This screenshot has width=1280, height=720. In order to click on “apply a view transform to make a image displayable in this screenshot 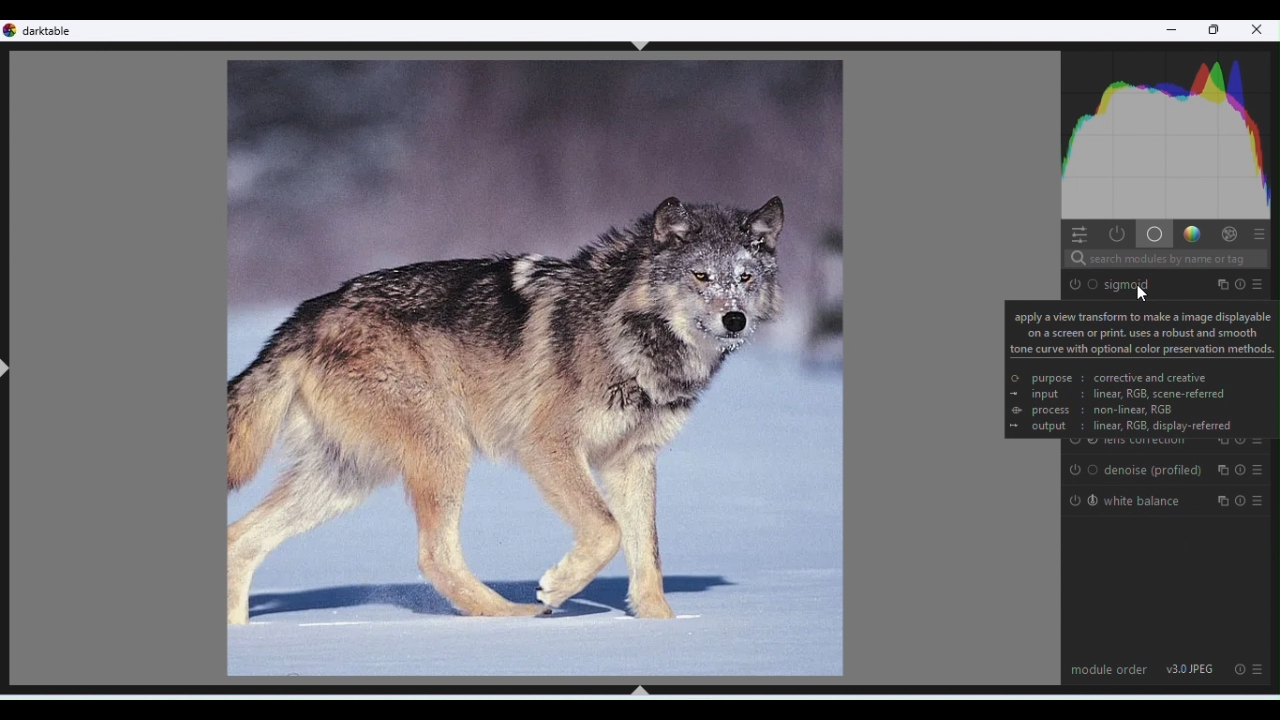, I will do `click(1141, 316)`.